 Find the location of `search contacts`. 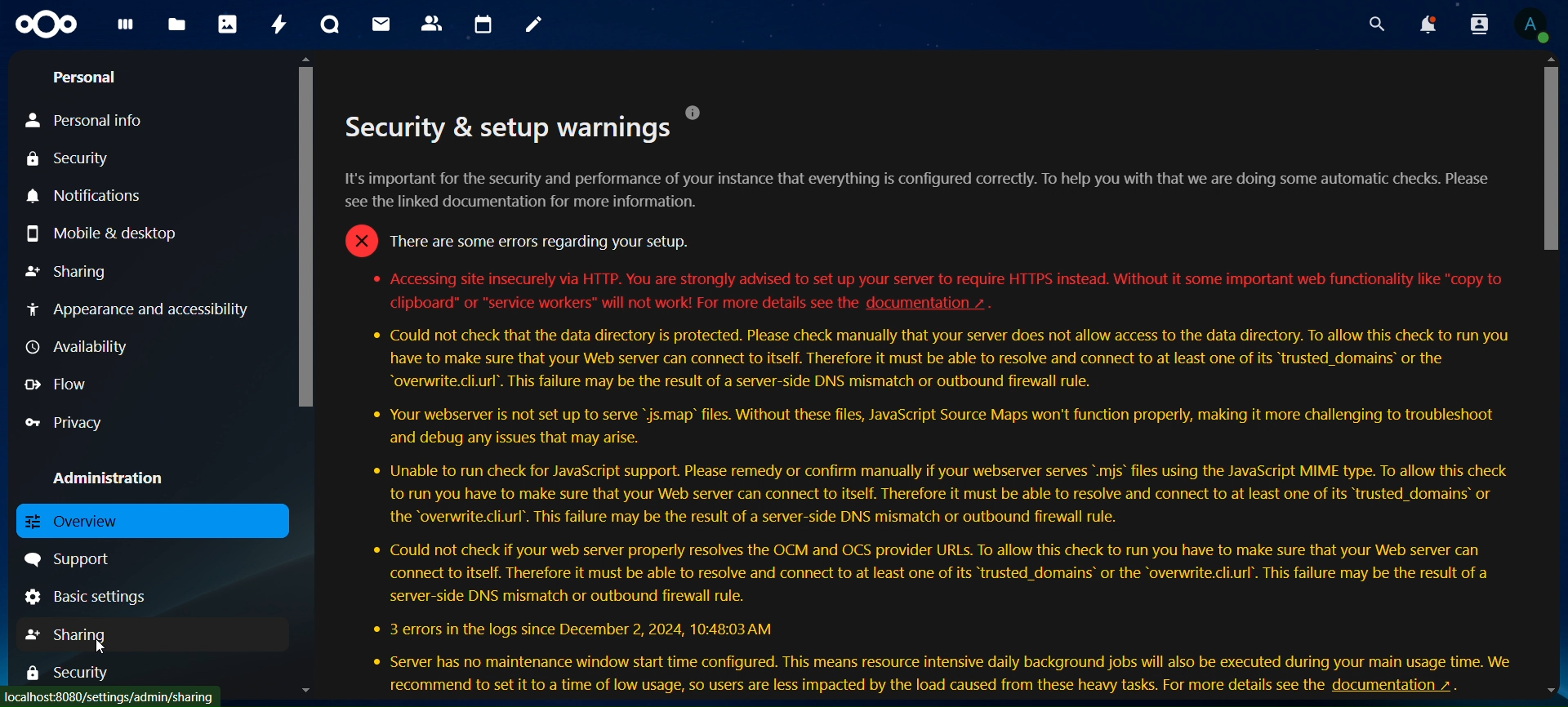

search contacts is located at coordinates (1480, 23).